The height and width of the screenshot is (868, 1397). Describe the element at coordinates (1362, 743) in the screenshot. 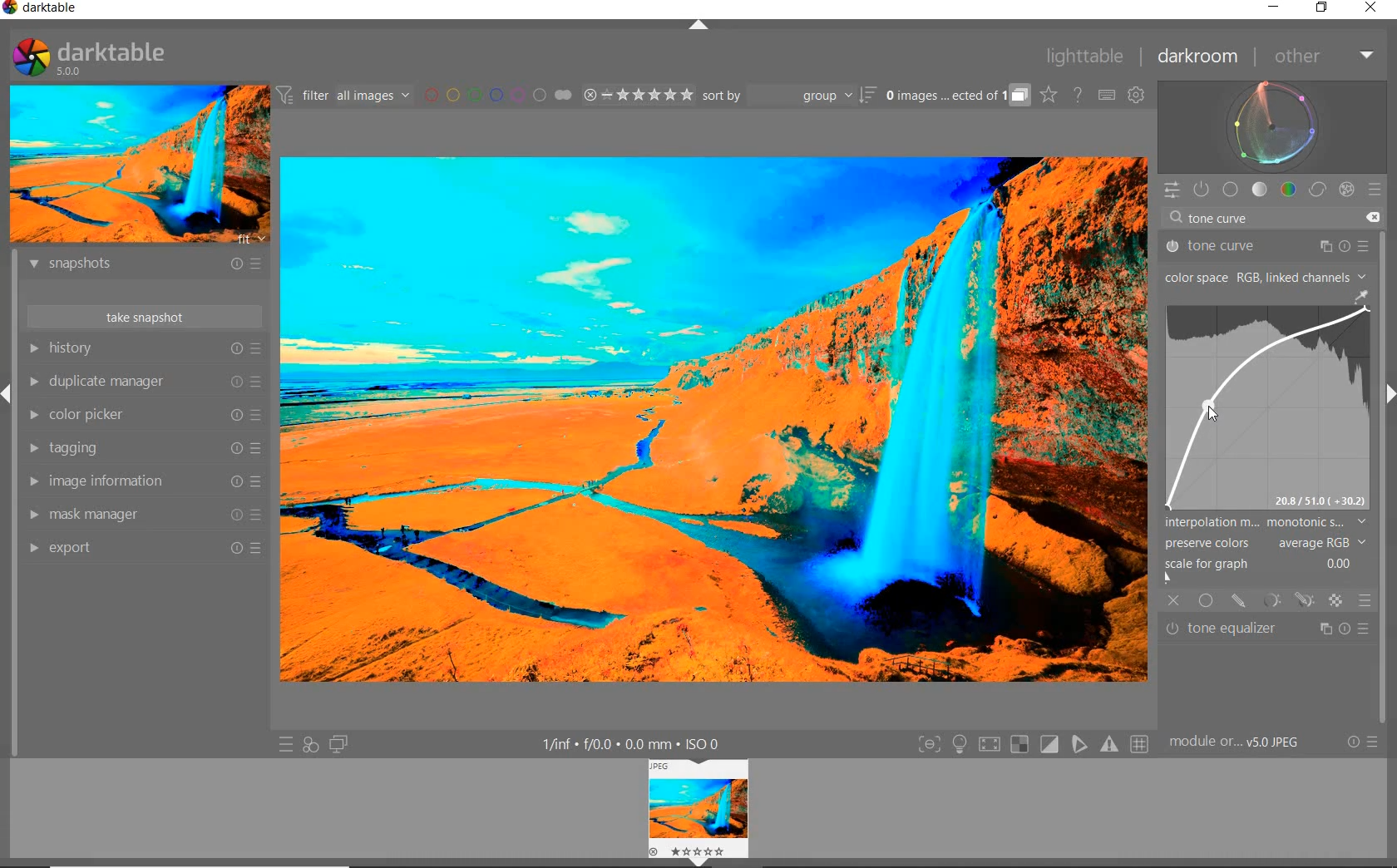

I see `RESET OR PRESETS & PREFERENCES` at that location.